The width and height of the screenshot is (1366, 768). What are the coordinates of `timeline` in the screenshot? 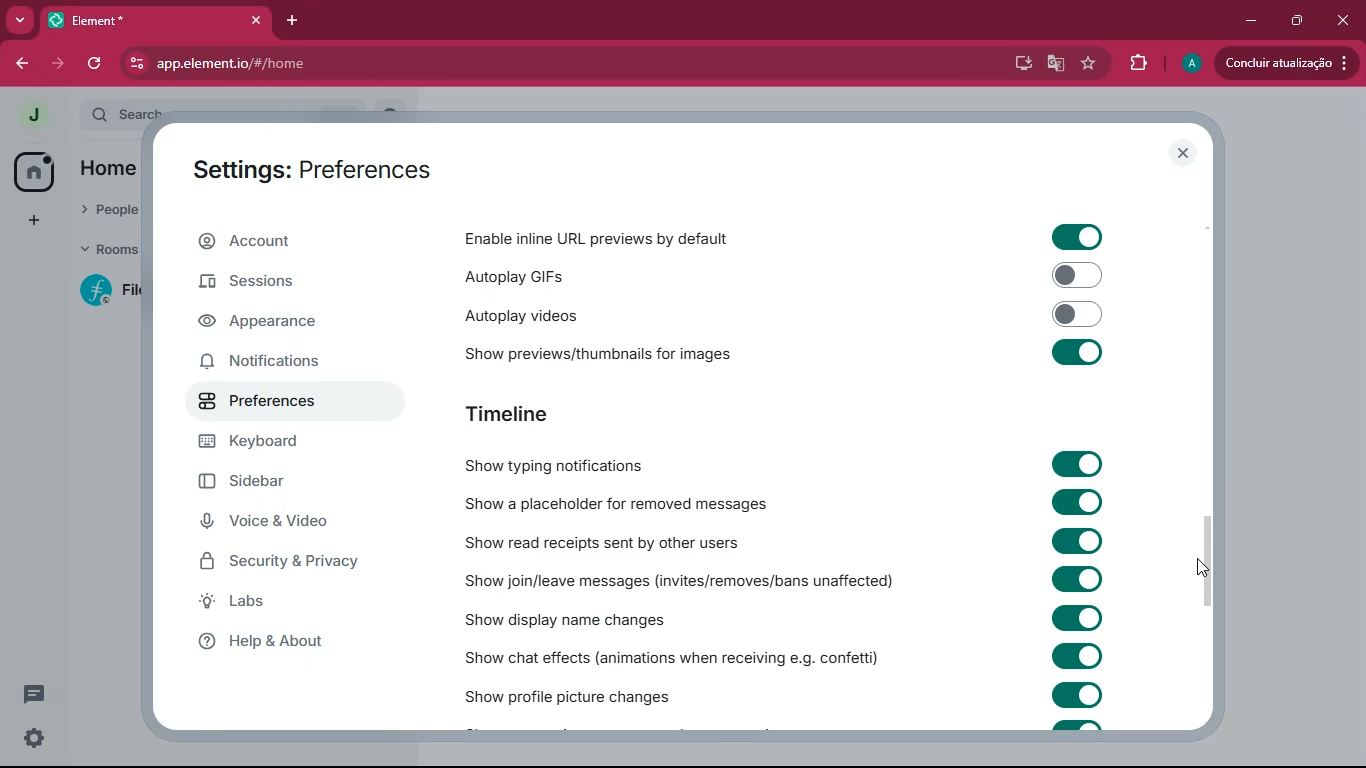 It's located at (539, 415).